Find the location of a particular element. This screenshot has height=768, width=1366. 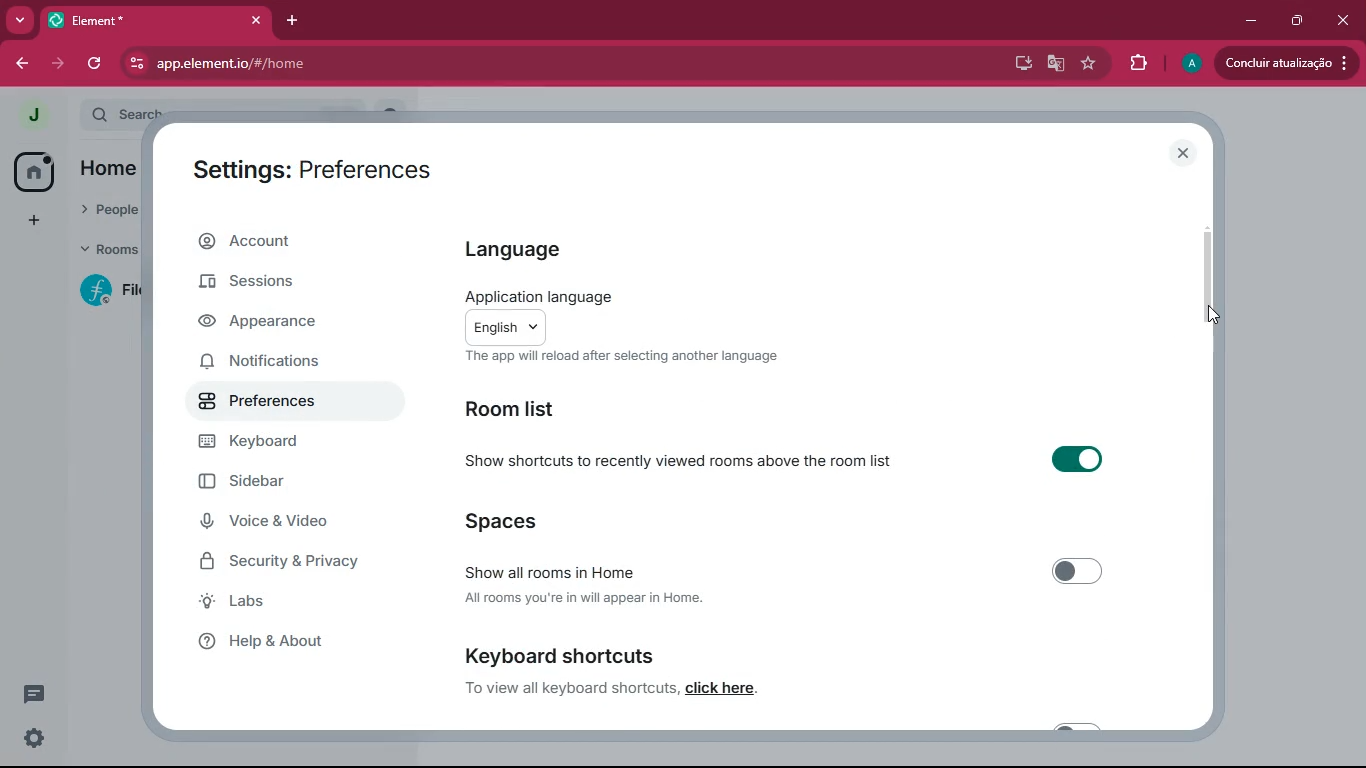

sessions is located at coordinates (281, 282).